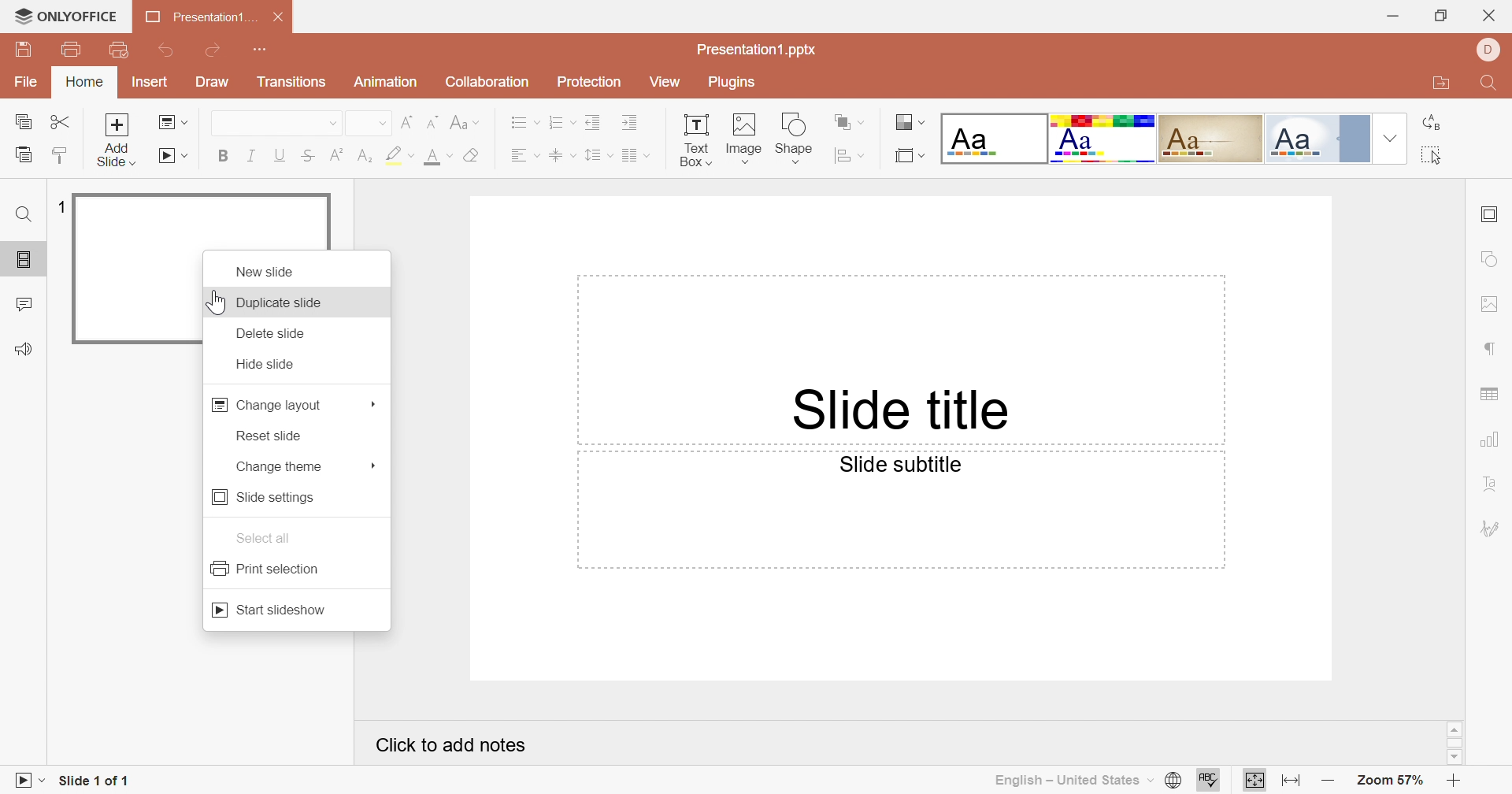 The image size is (1512, 794). What do you see at coordinates (486, 83) in the screenshot?
I see `Collaboration` at bounding box center [486, 83].